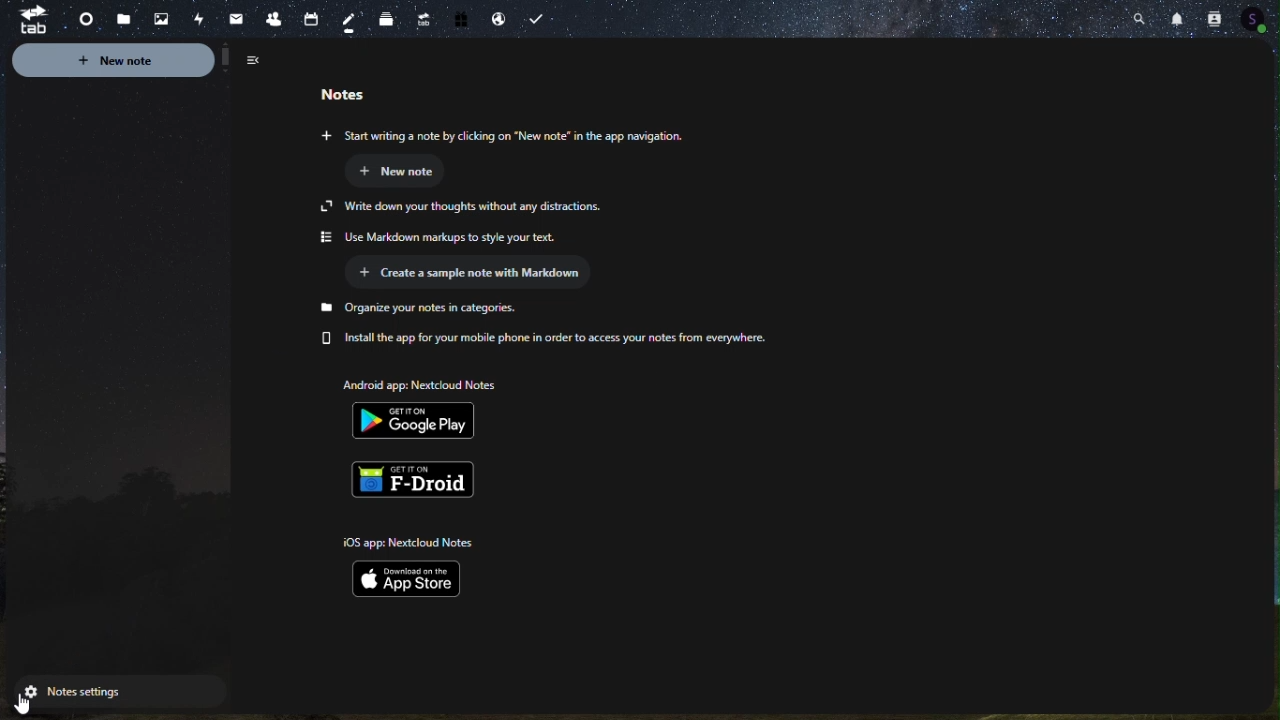  What do you see at coordinates (461, 18) in the screenshot?
I see `free trial` at bounding box center [461, 18].